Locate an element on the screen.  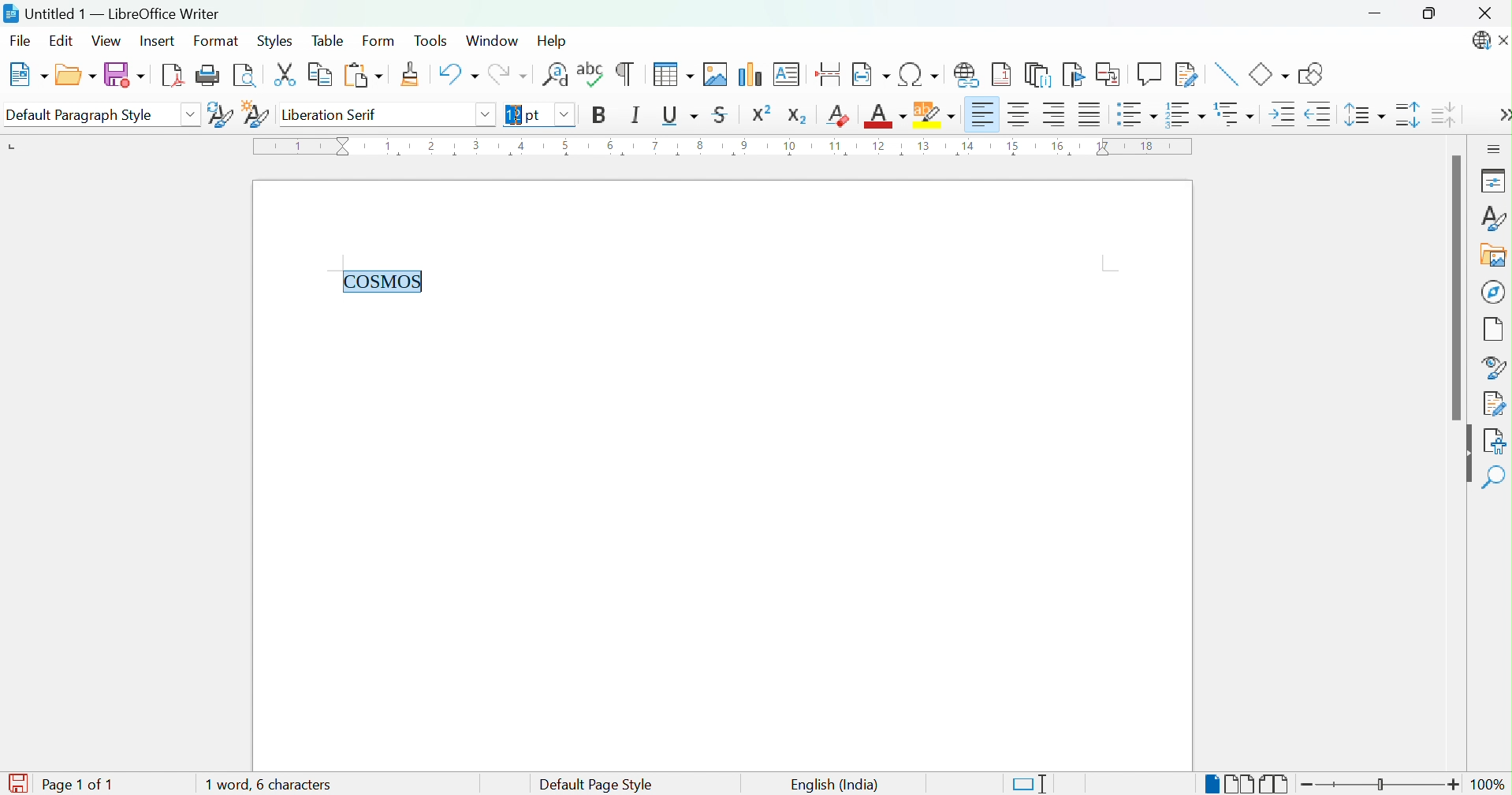
Multiple-page view is located at coordinates (1241, 784).